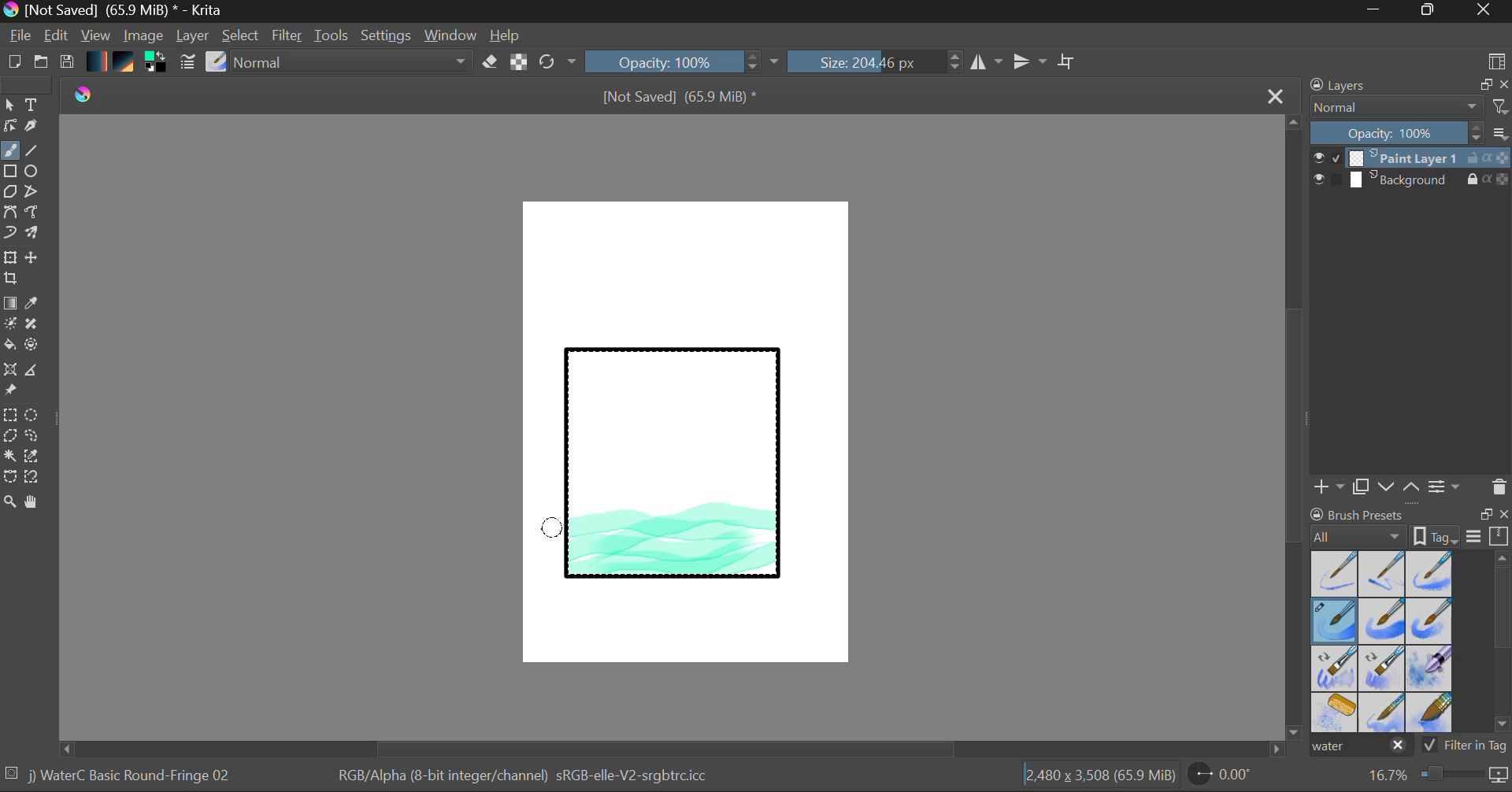  Describe the element at coordinates (558, 61) in the screenshot. I see `Refresh` at that location.